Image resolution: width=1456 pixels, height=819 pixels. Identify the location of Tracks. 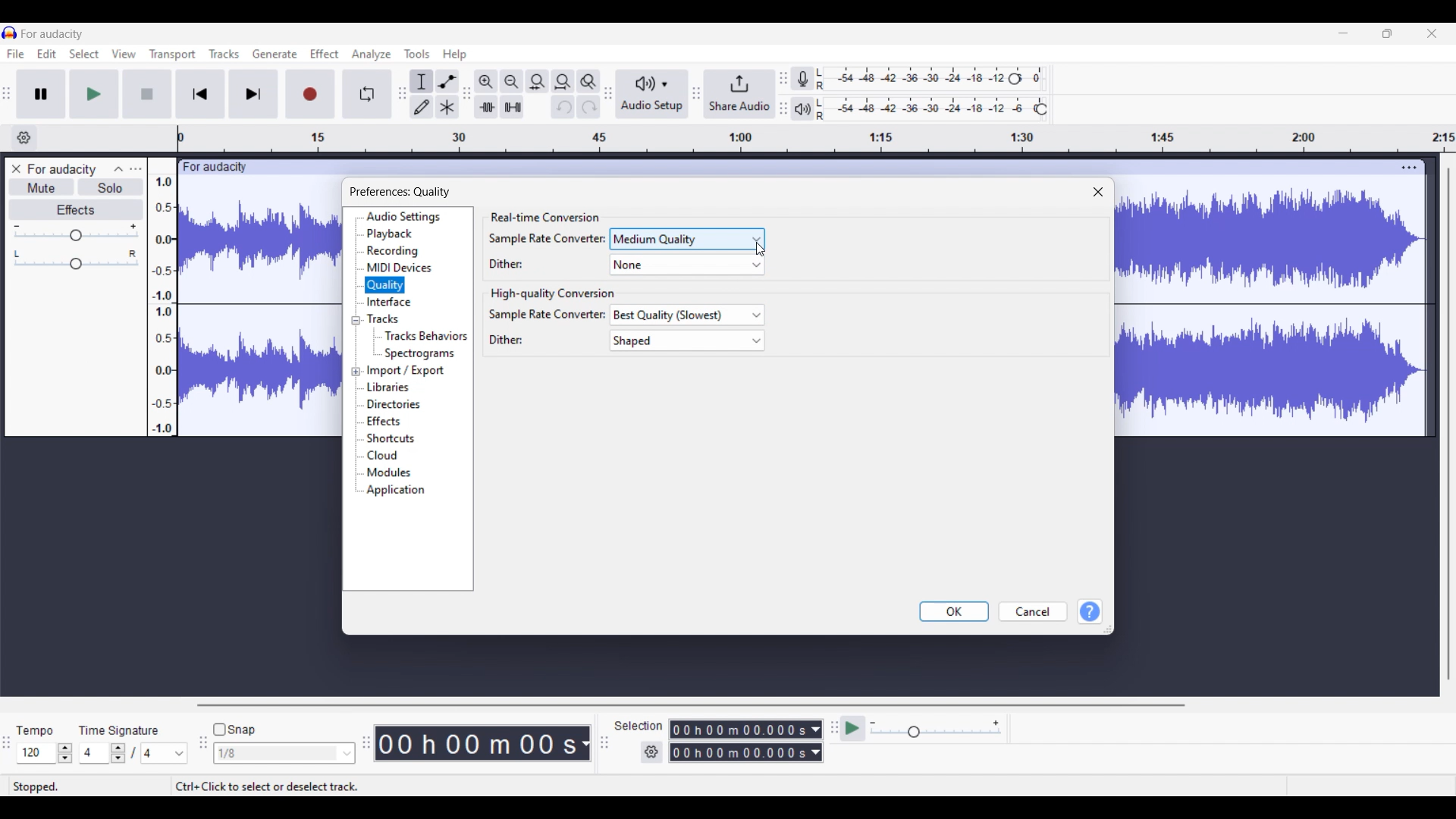
(384, 318).